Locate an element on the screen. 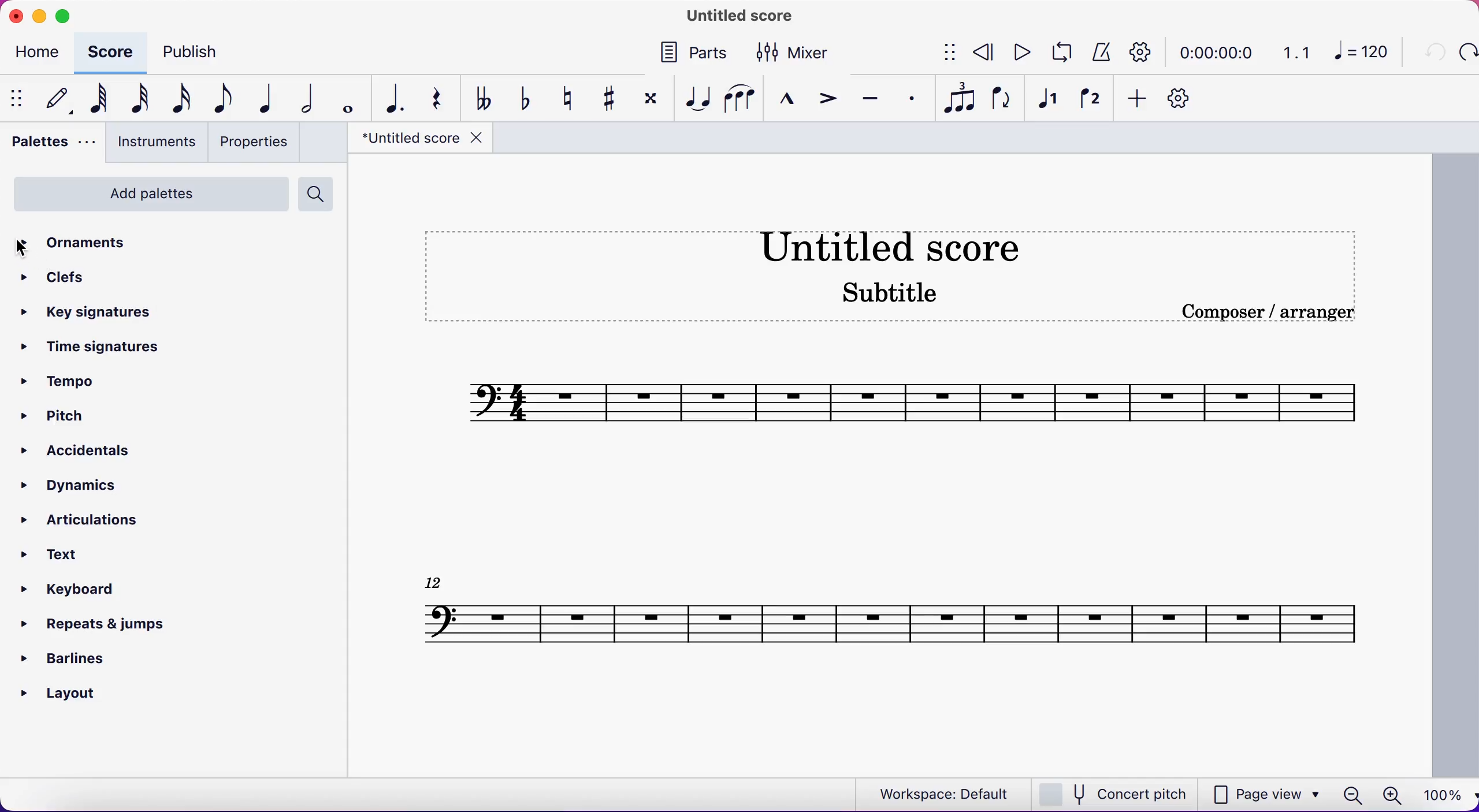 Image resolution: width=1479 pixels, height=812 pixels. publish is located at coordinates (205, 52).